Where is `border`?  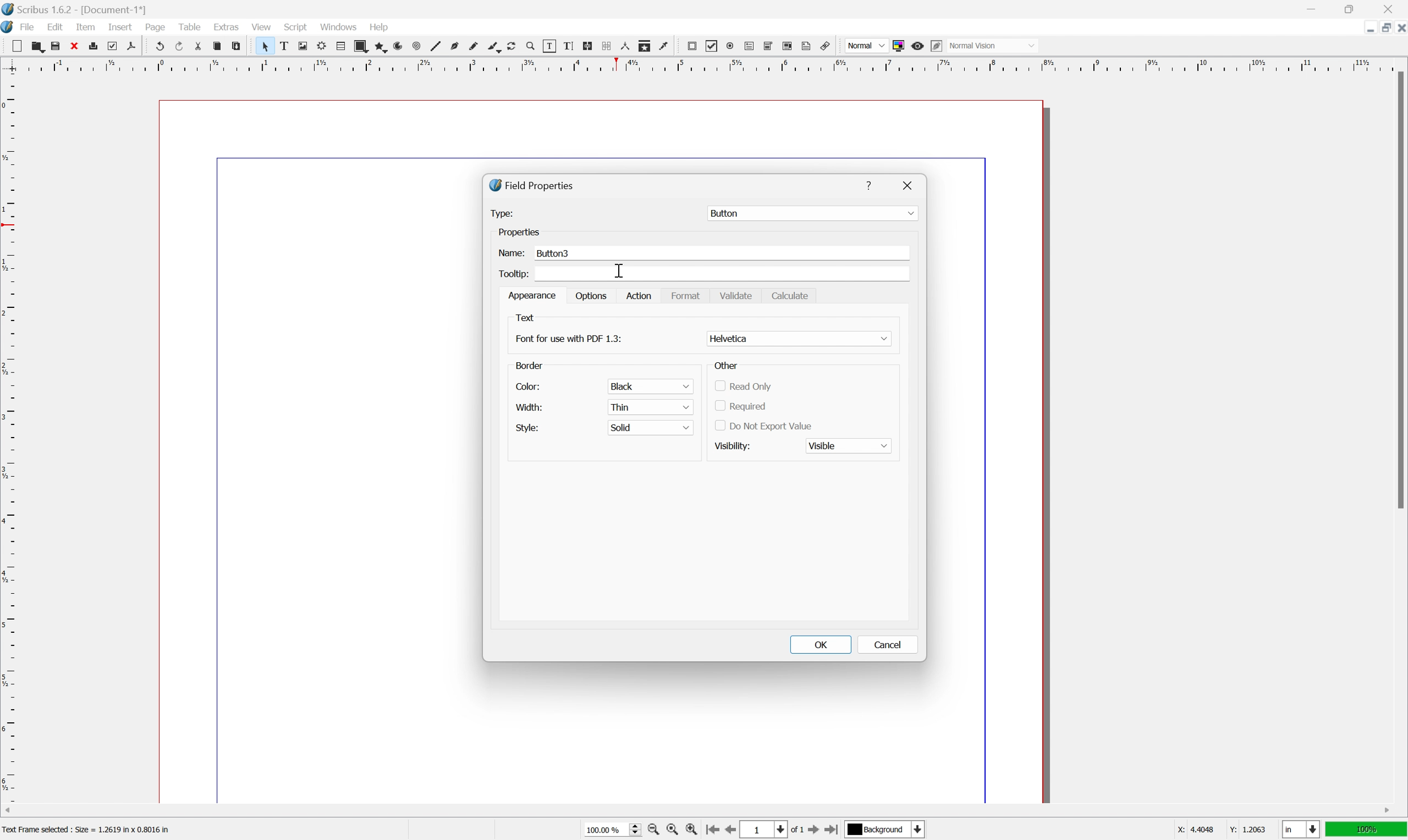 border is located at coordinates (530, 364).